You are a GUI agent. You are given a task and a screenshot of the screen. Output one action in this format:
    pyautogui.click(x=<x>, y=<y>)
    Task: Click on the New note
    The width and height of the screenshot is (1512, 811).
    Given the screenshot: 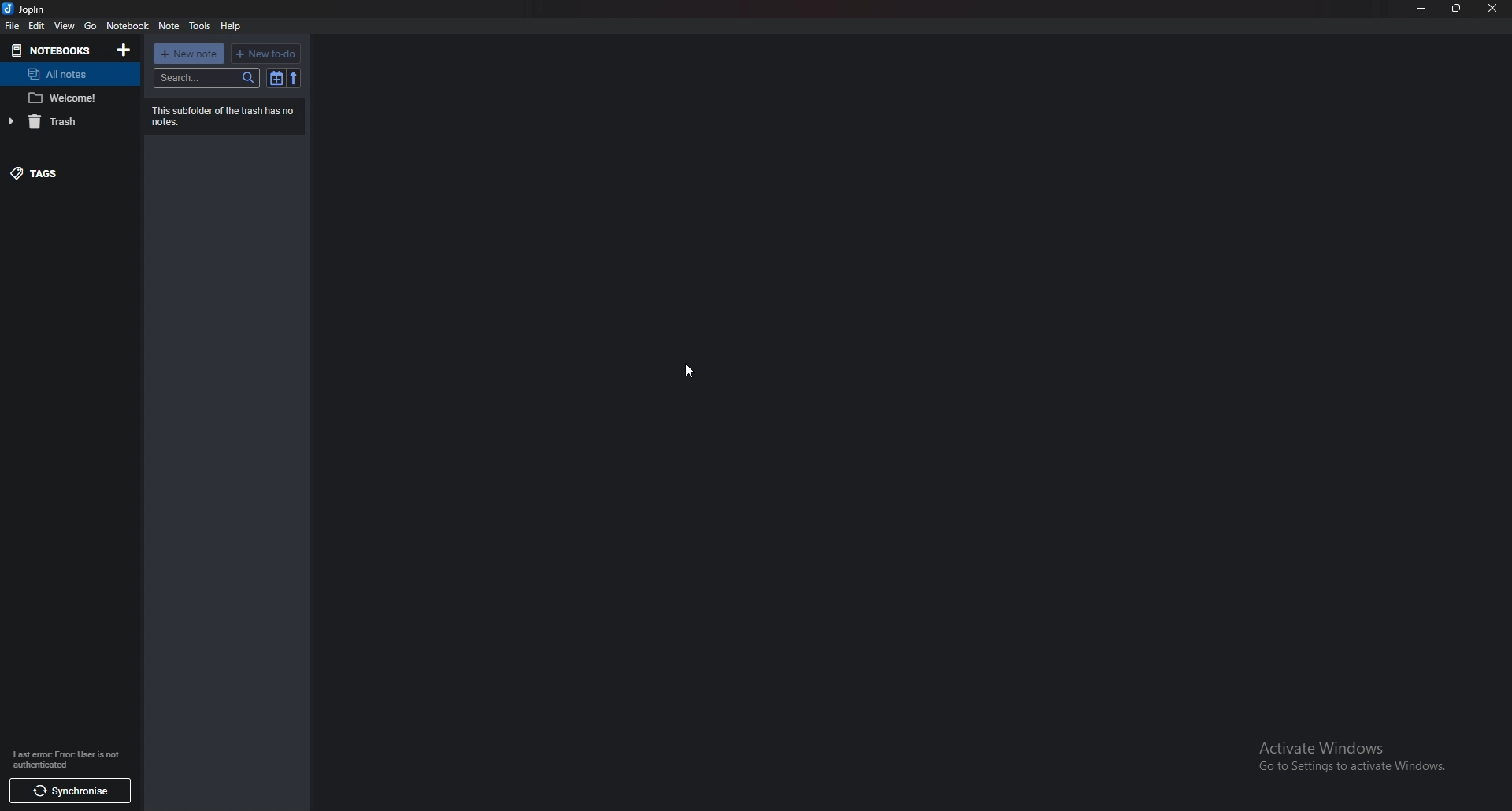 What is the action you would take?
    pyautogui.click(x=189, y=53)
    